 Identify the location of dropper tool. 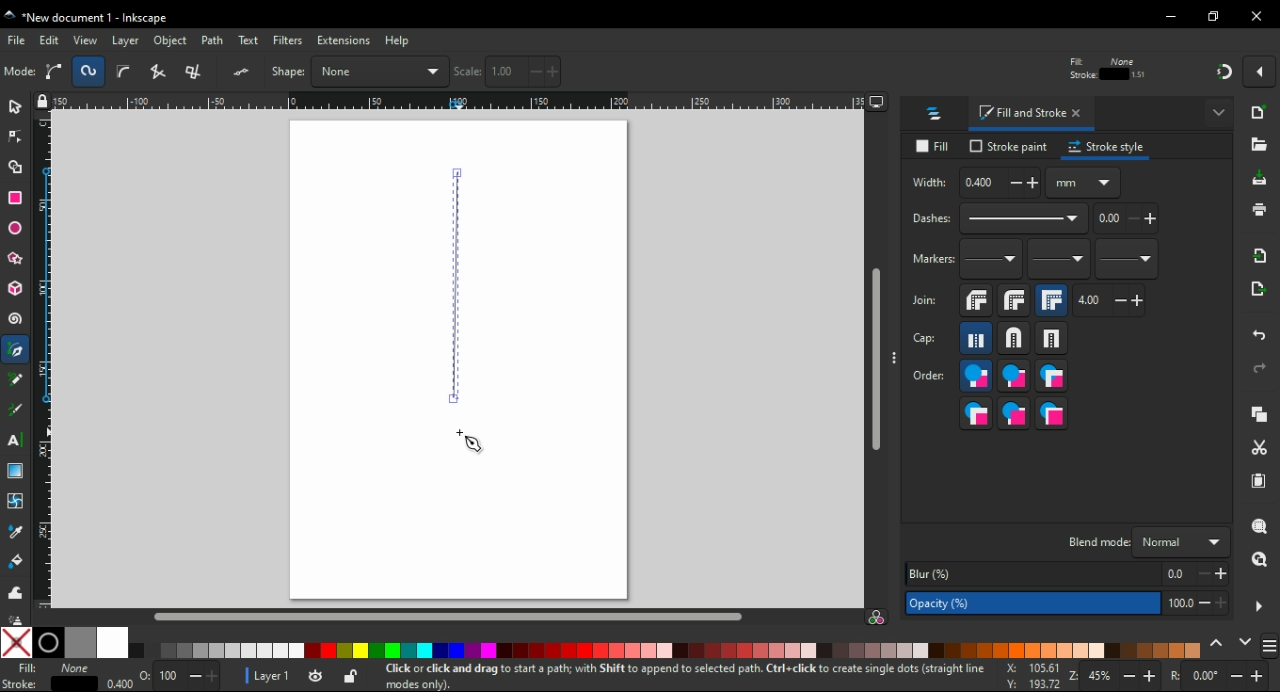
(17, 532).